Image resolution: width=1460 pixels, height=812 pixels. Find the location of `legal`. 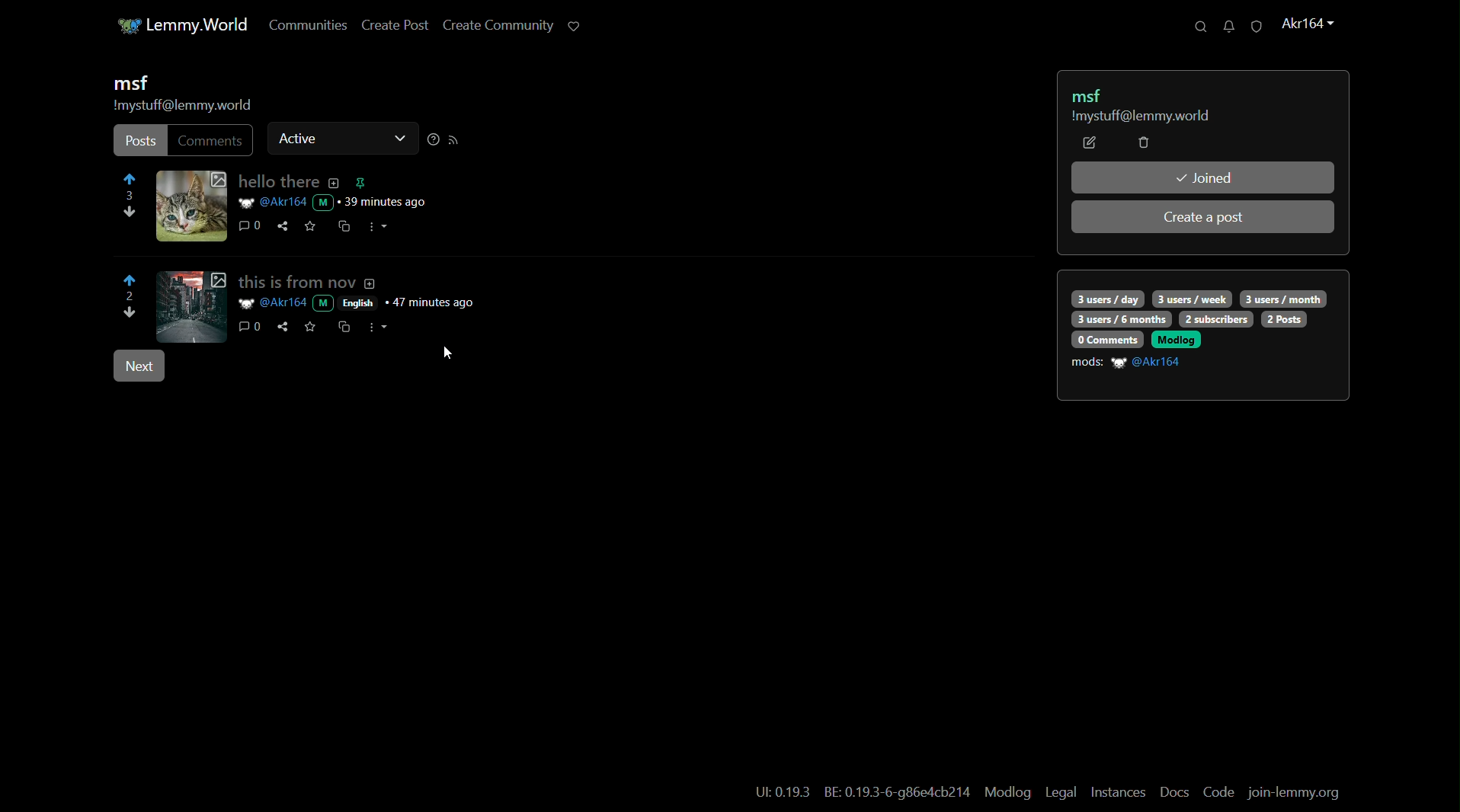

legal is located at coordinates (1060, 793).